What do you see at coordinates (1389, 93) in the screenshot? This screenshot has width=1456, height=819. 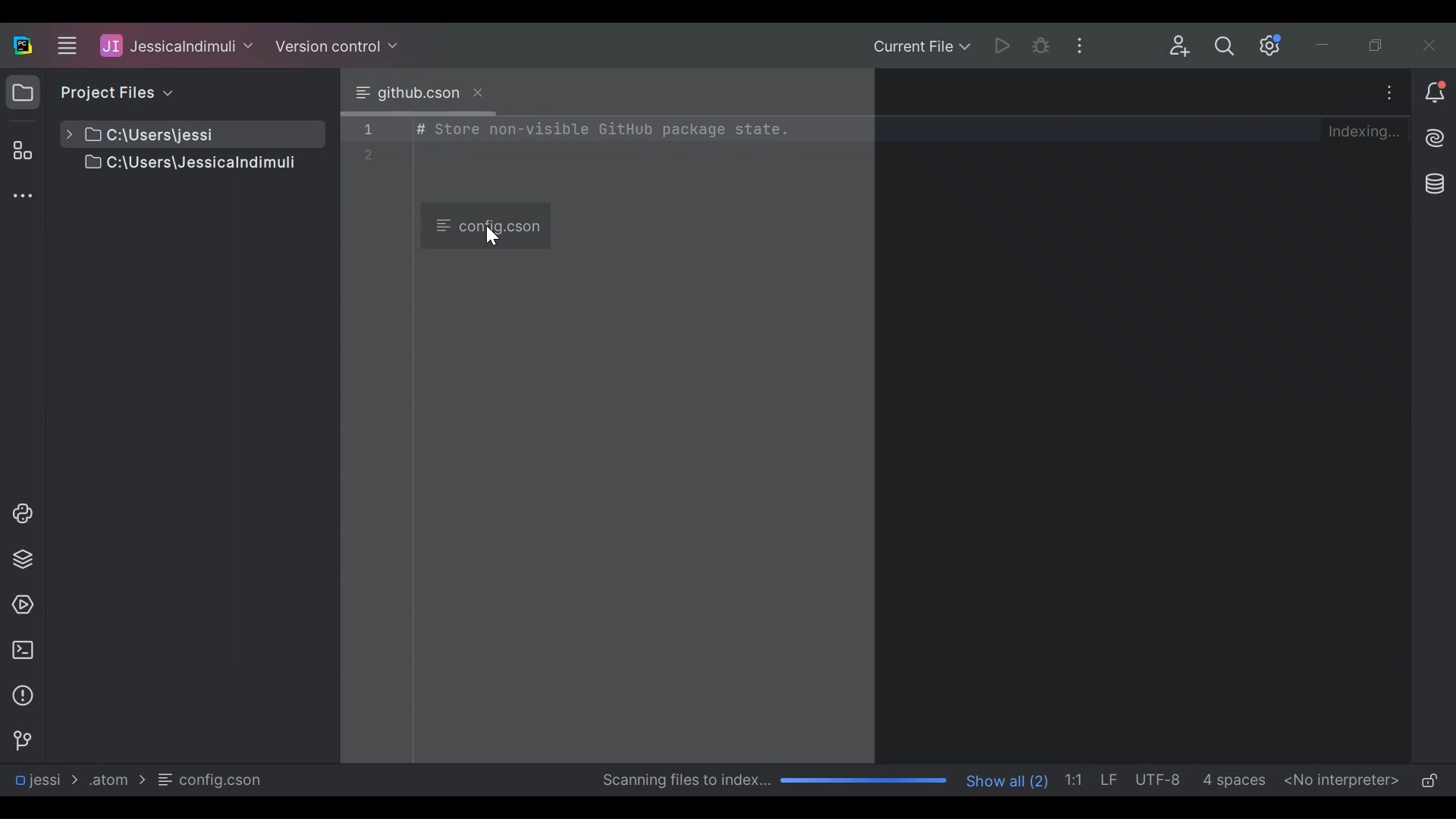 I see `More` at bounding box center [1389, 93].